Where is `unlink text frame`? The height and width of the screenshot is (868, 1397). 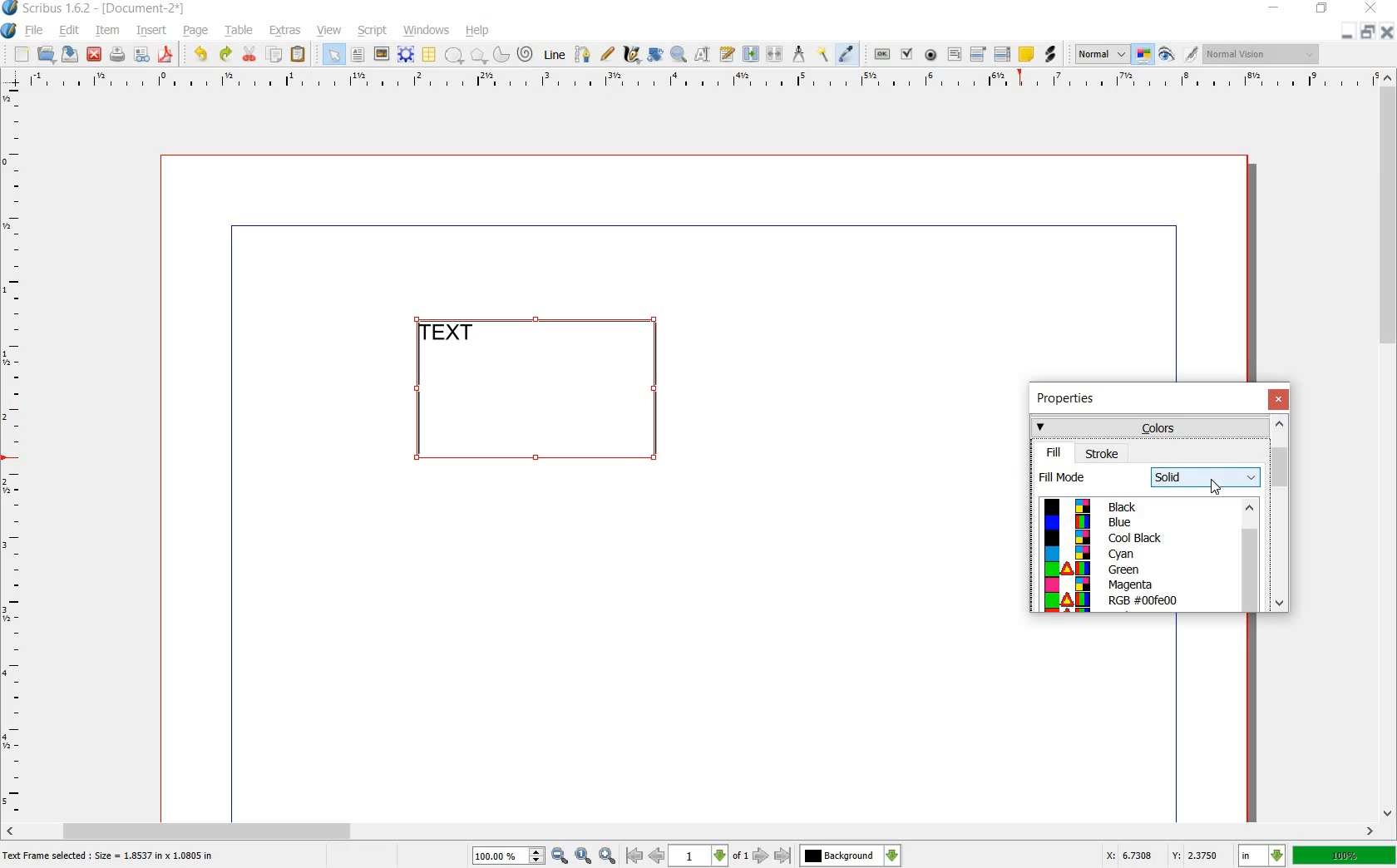 unlink text frame is located at coordinates (776, 55).